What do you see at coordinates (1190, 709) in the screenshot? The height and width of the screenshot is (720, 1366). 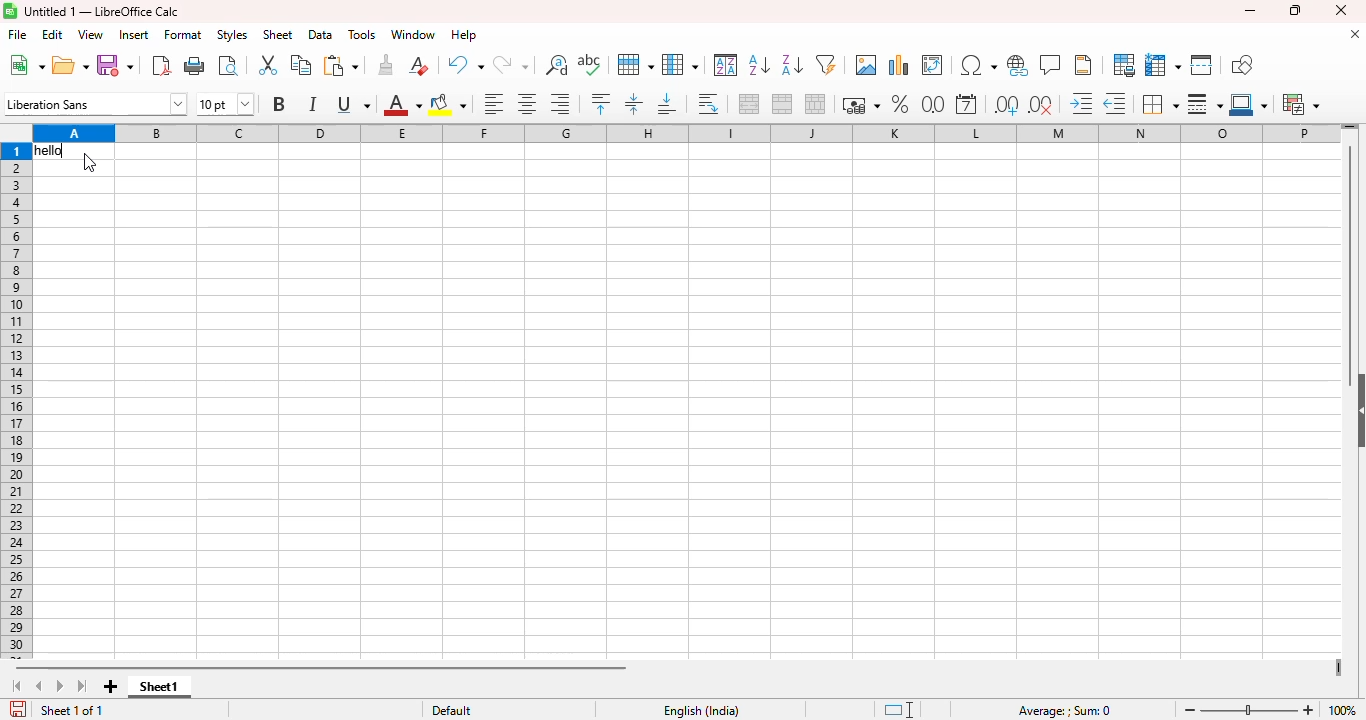 I see `zoom out` at bounding box center [1190, 709].